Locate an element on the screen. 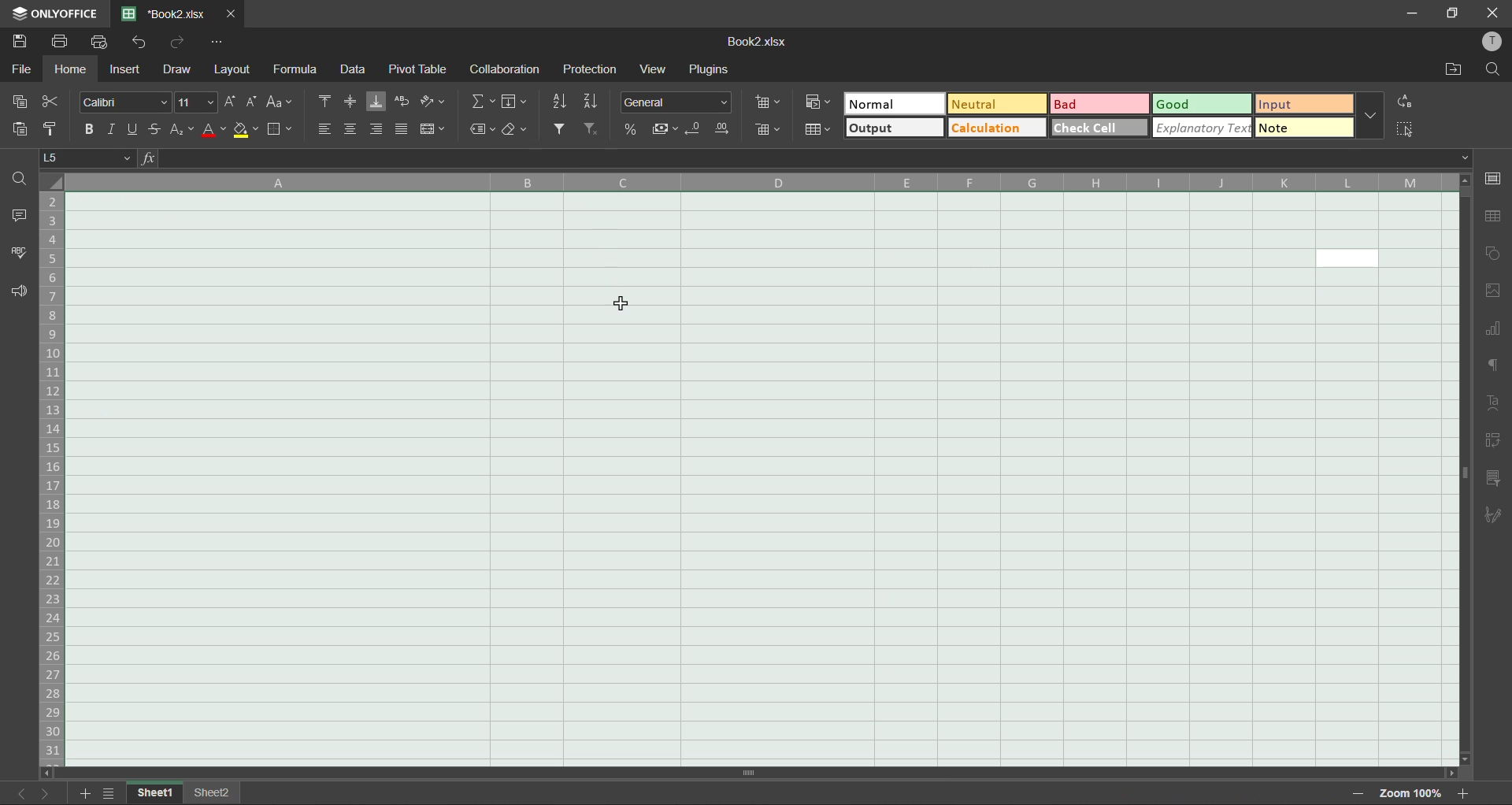  delete cells is located at coordinates (764, 128).